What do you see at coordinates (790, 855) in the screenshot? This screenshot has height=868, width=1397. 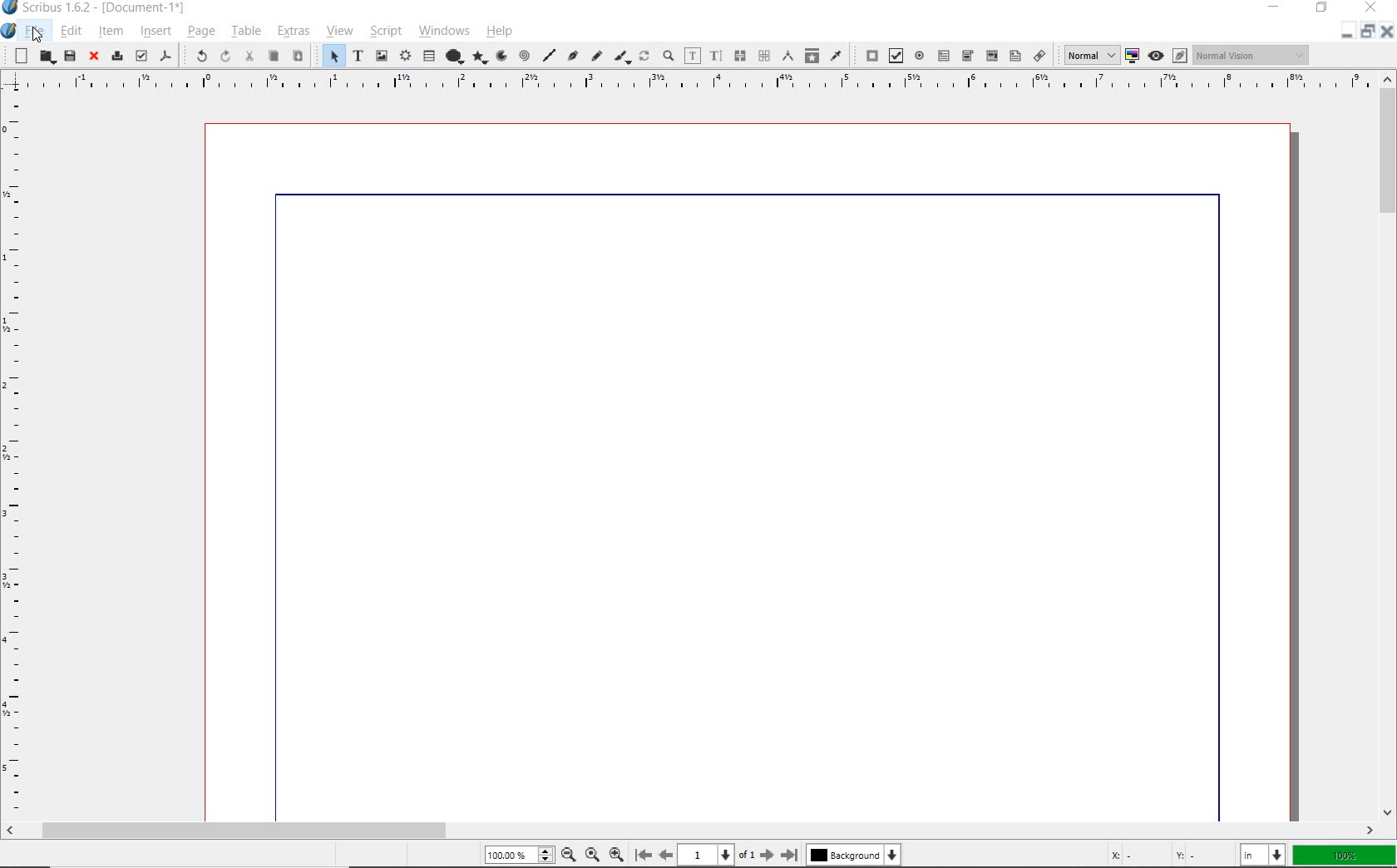 I see `Last Page` at bounding box center [790, 855].